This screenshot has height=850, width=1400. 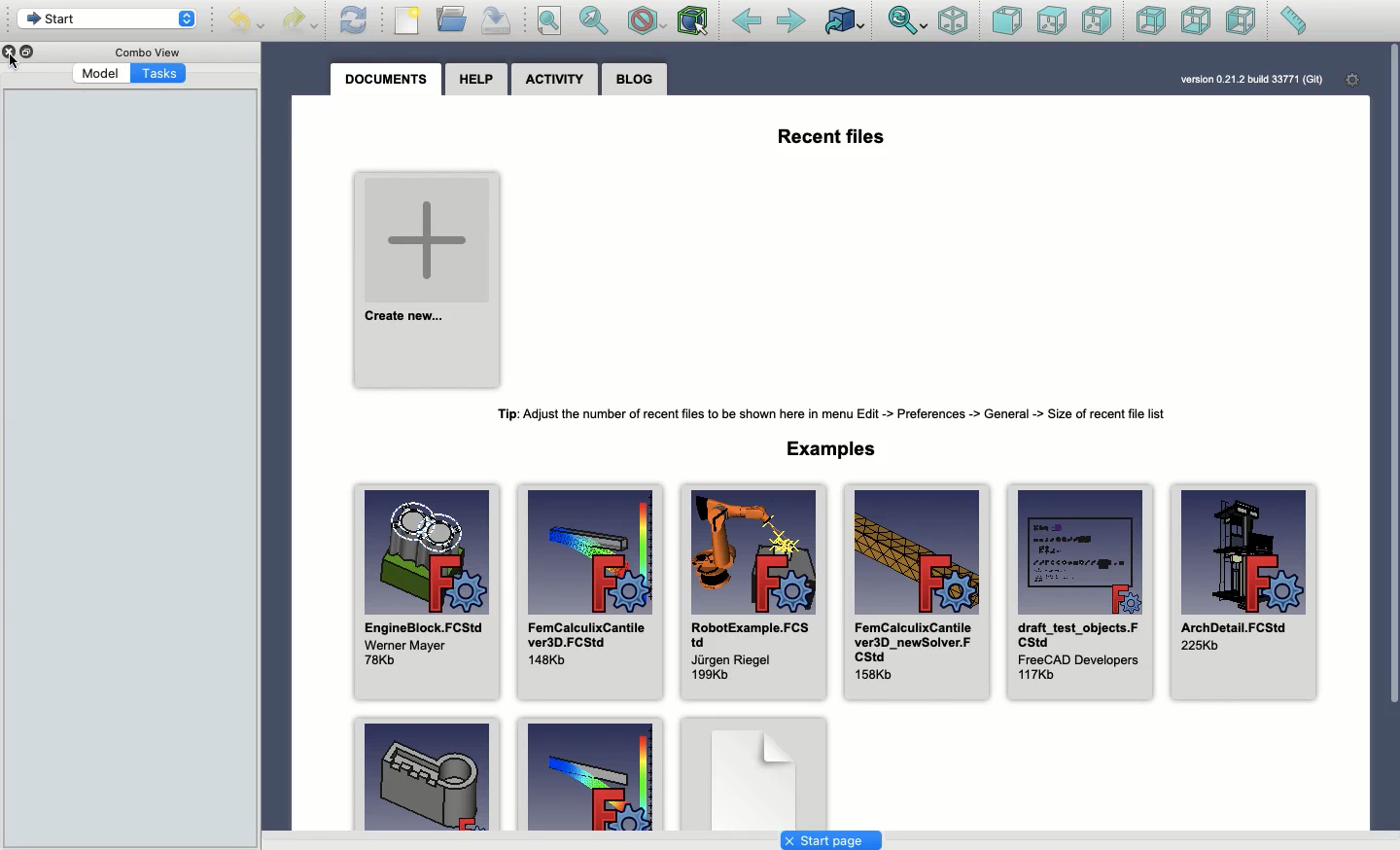 I want to click on Cursor, so click(x=14, y=61).